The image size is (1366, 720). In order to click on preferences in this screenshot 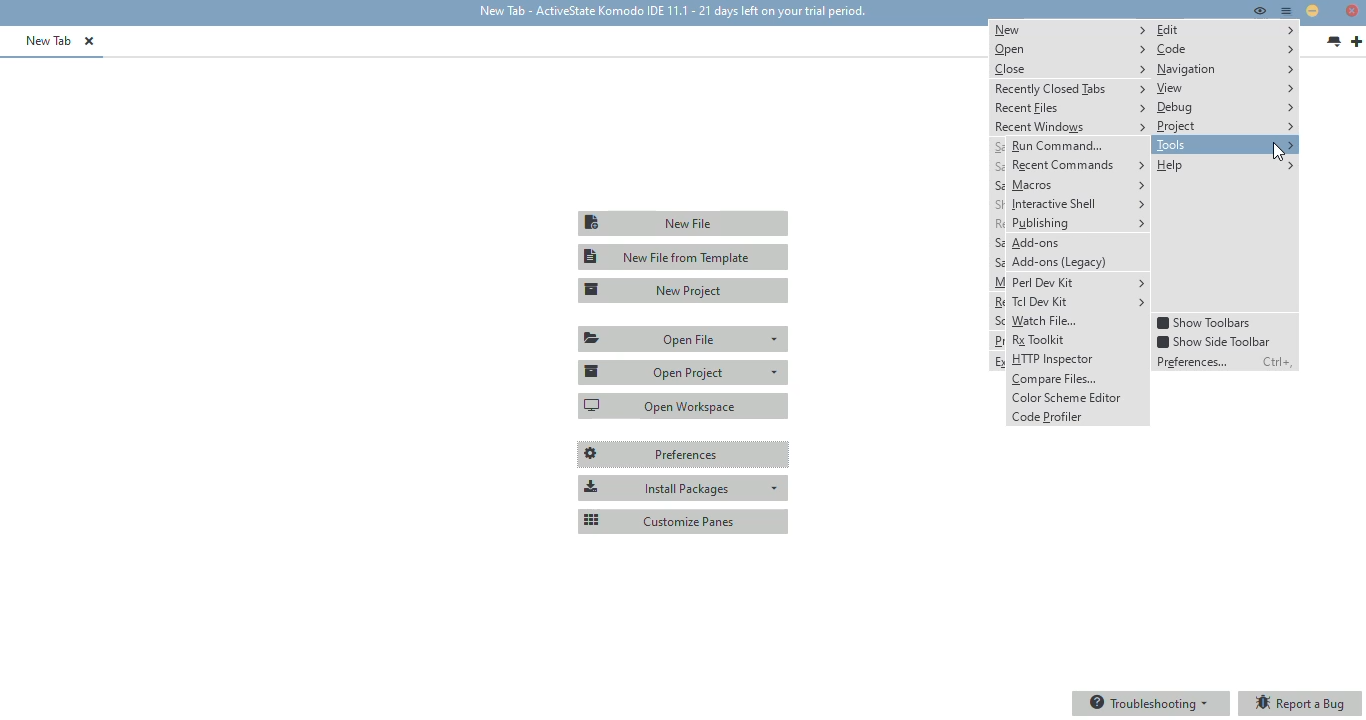, I will do `click(1196, 361)`.